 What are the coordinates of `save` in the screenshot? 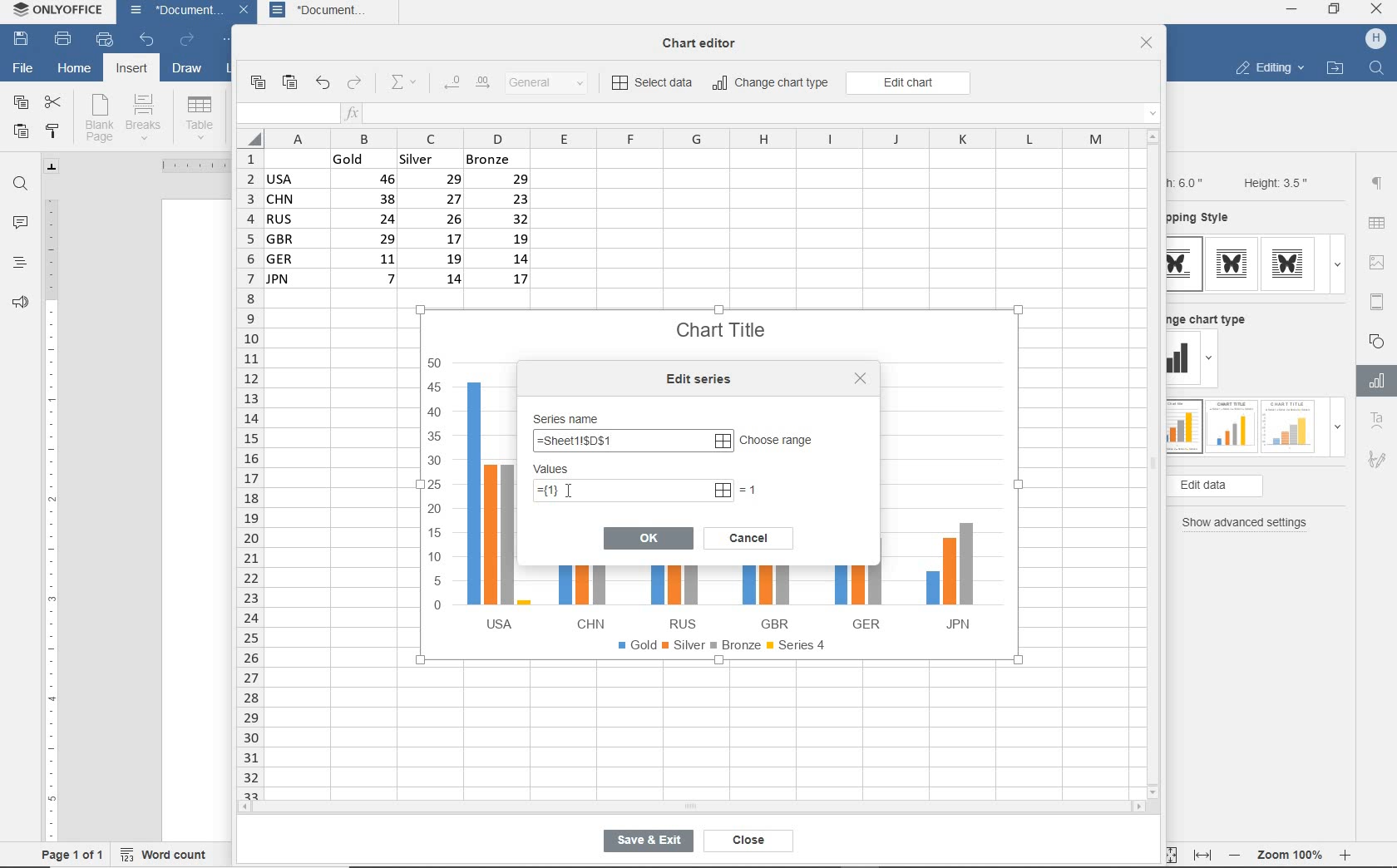 It's located at (22, 40).